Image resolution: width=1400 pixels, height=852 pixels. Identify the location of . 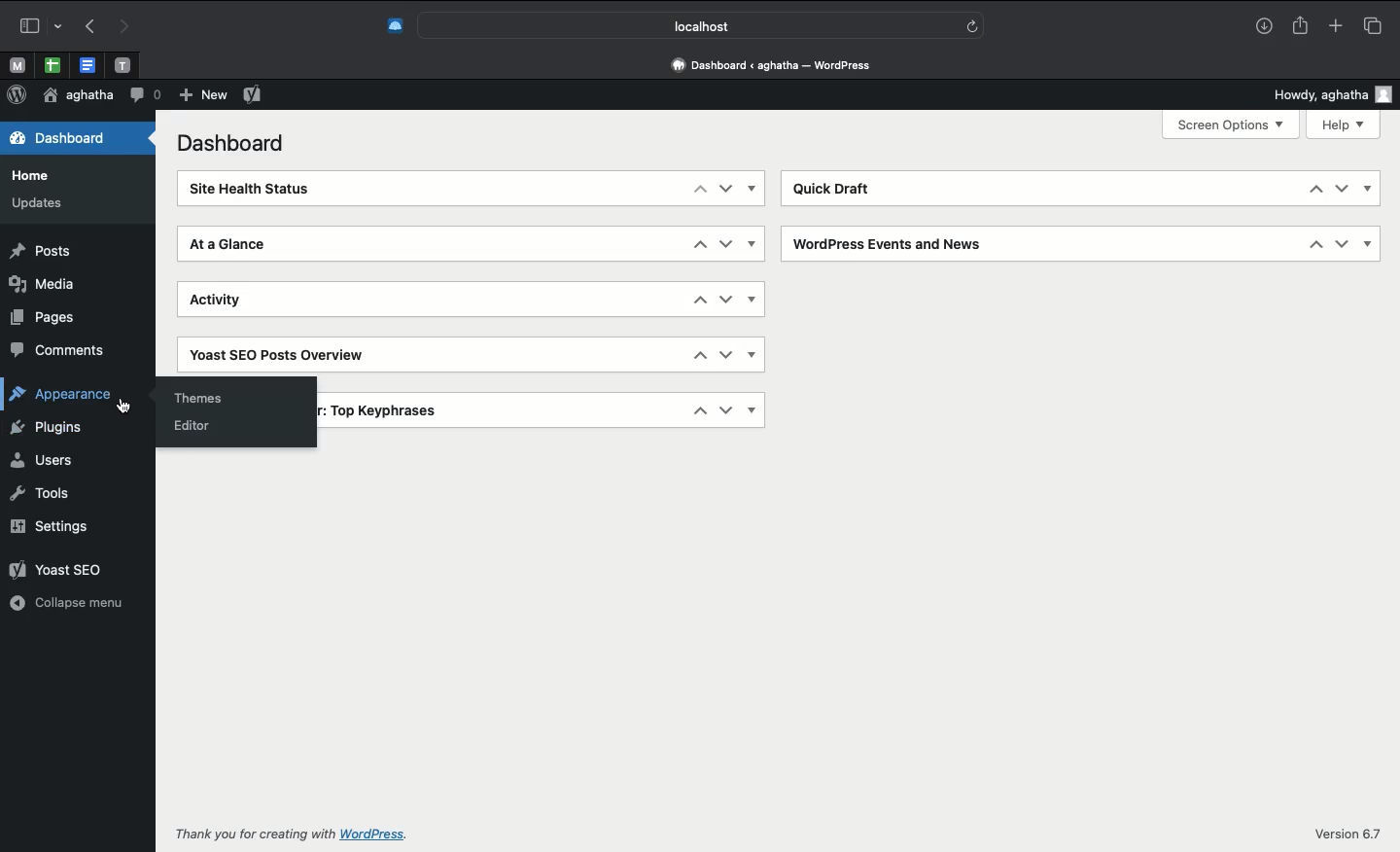
(725, 300).